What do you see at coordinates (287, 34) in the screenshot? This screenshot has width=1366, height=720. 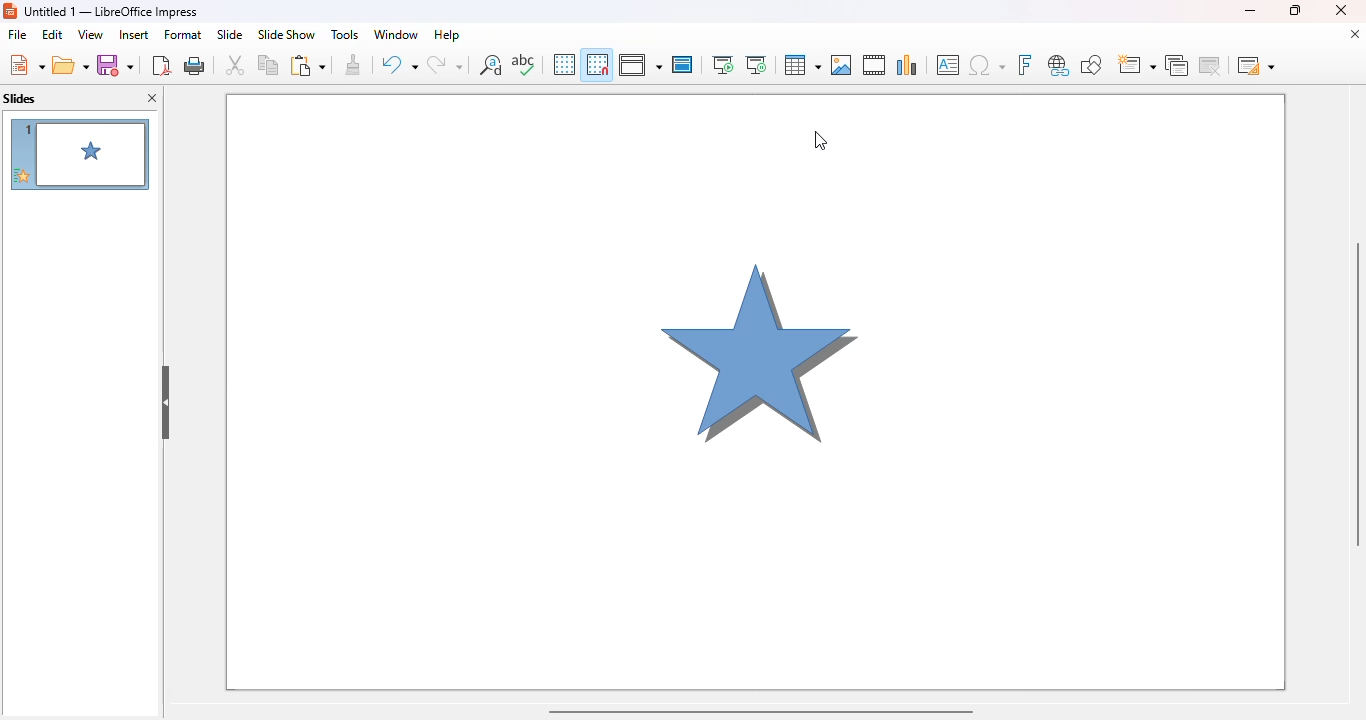 I see `slide show` at bounding box center [287, 34].